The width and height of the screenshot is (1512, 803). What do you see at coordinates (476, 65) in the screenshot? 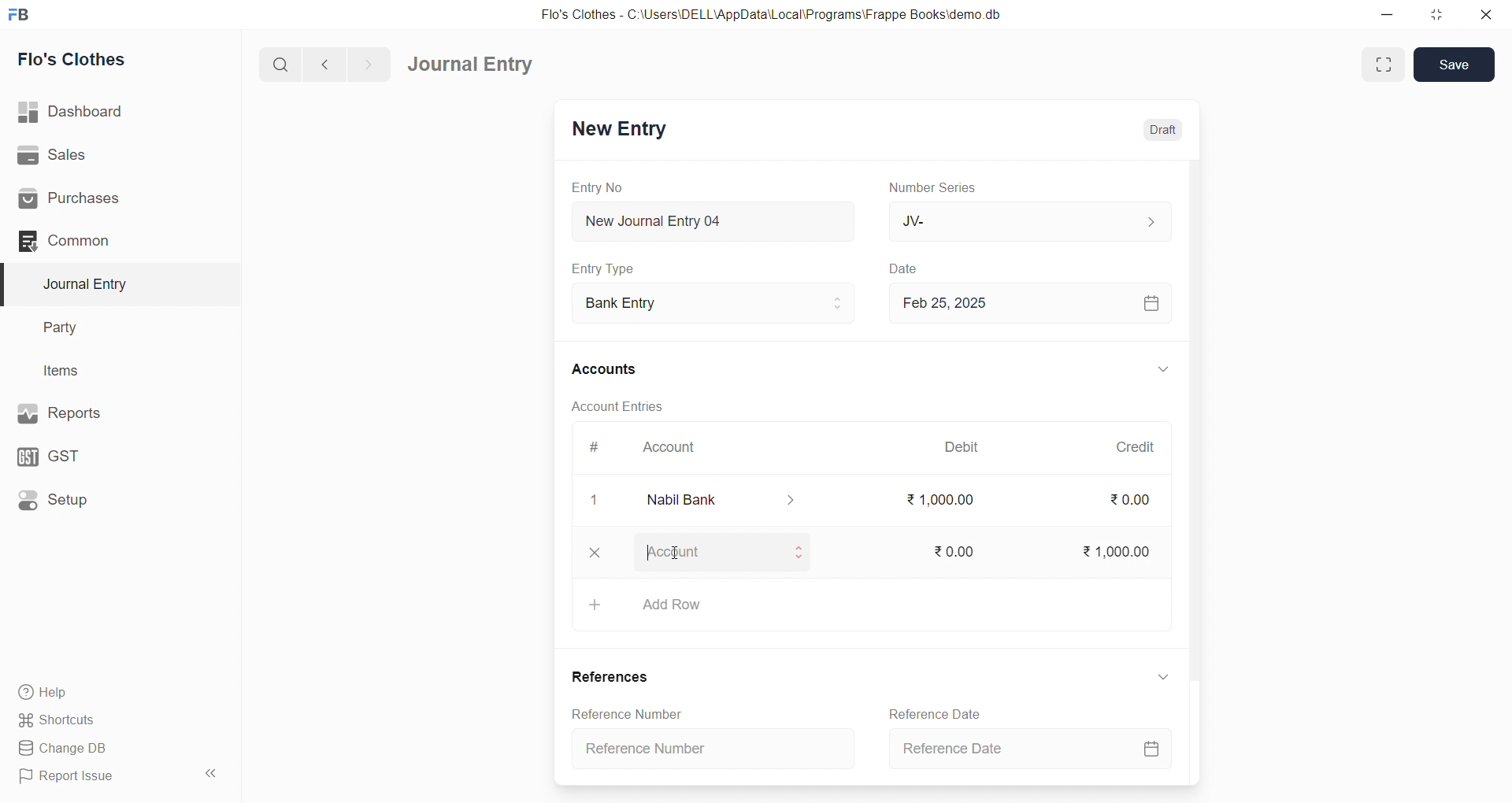
I see `Journal Entry` at bounding box center [476, 65].